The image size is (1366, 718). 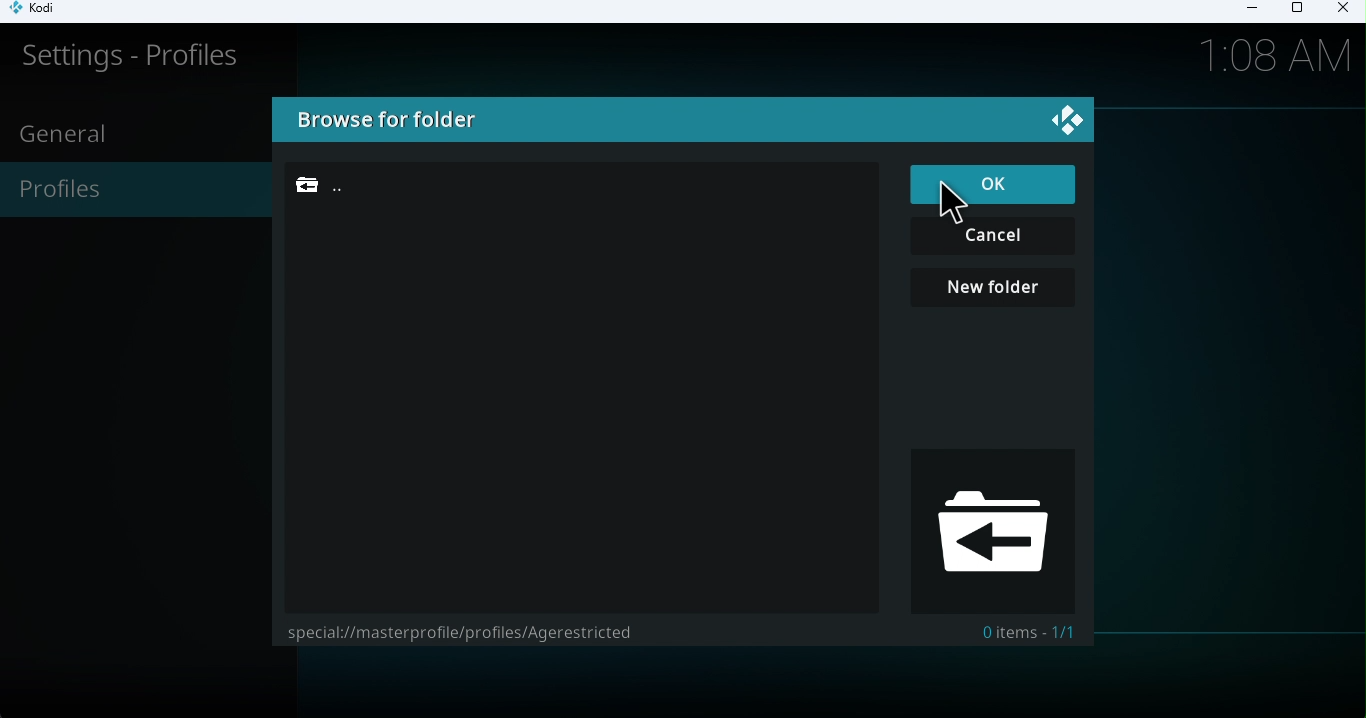 I want to click on Logo, so click(x=1065, y=120).